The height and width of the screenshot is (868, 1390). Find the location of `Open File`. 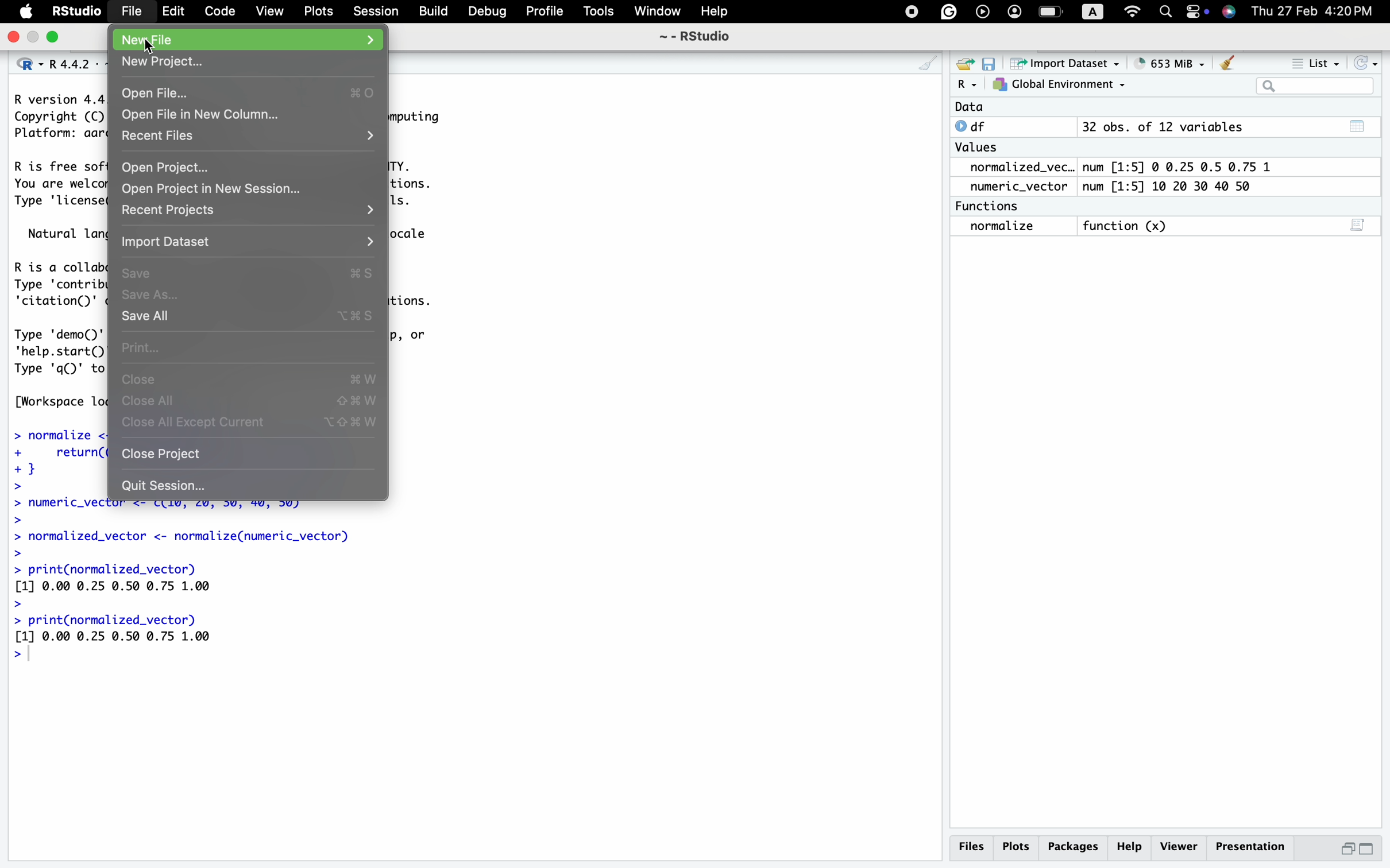

Open File is located at coordinates (154, 92).